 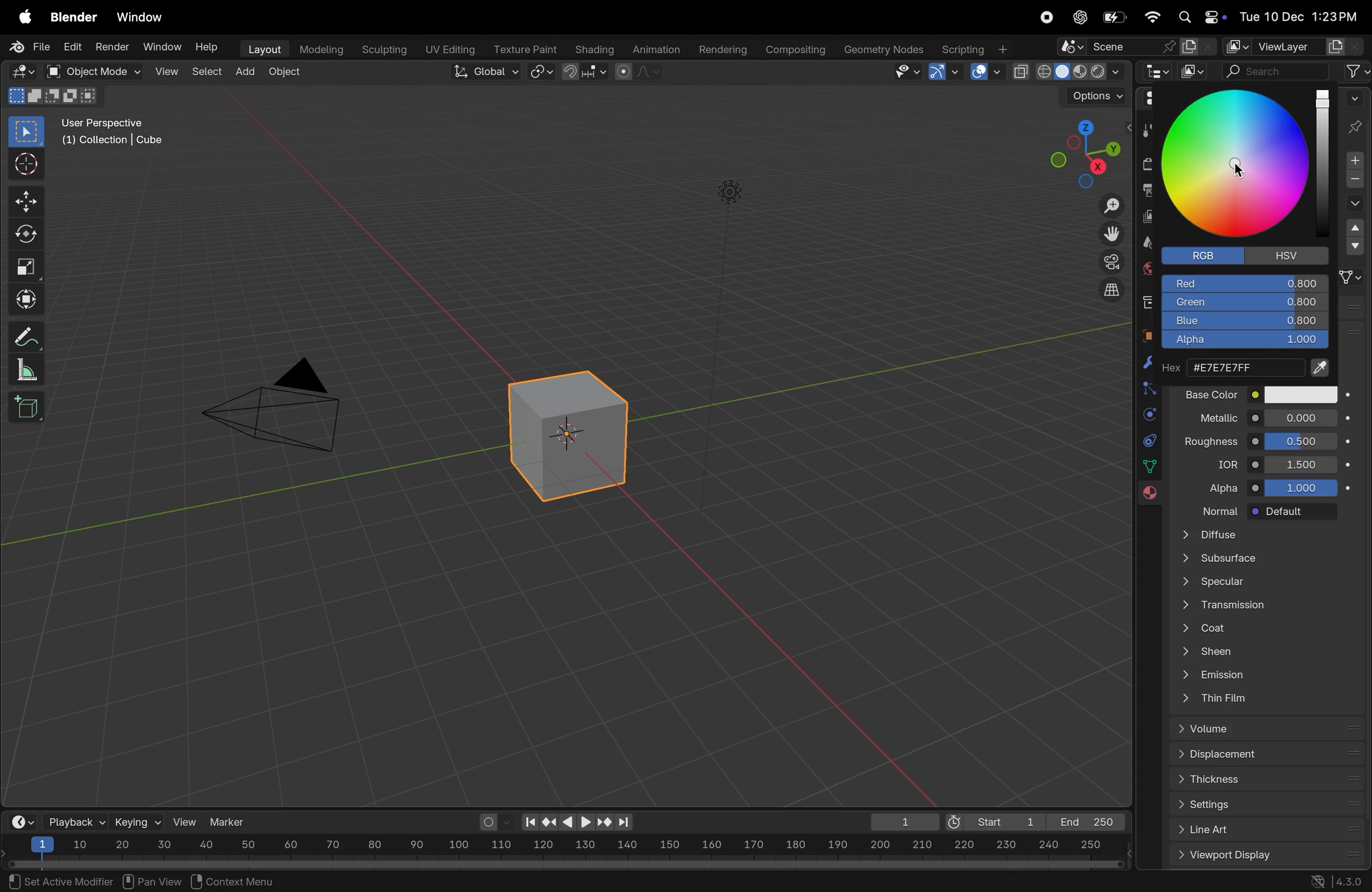 I want to click on blue, so click(x=1245, y=322).